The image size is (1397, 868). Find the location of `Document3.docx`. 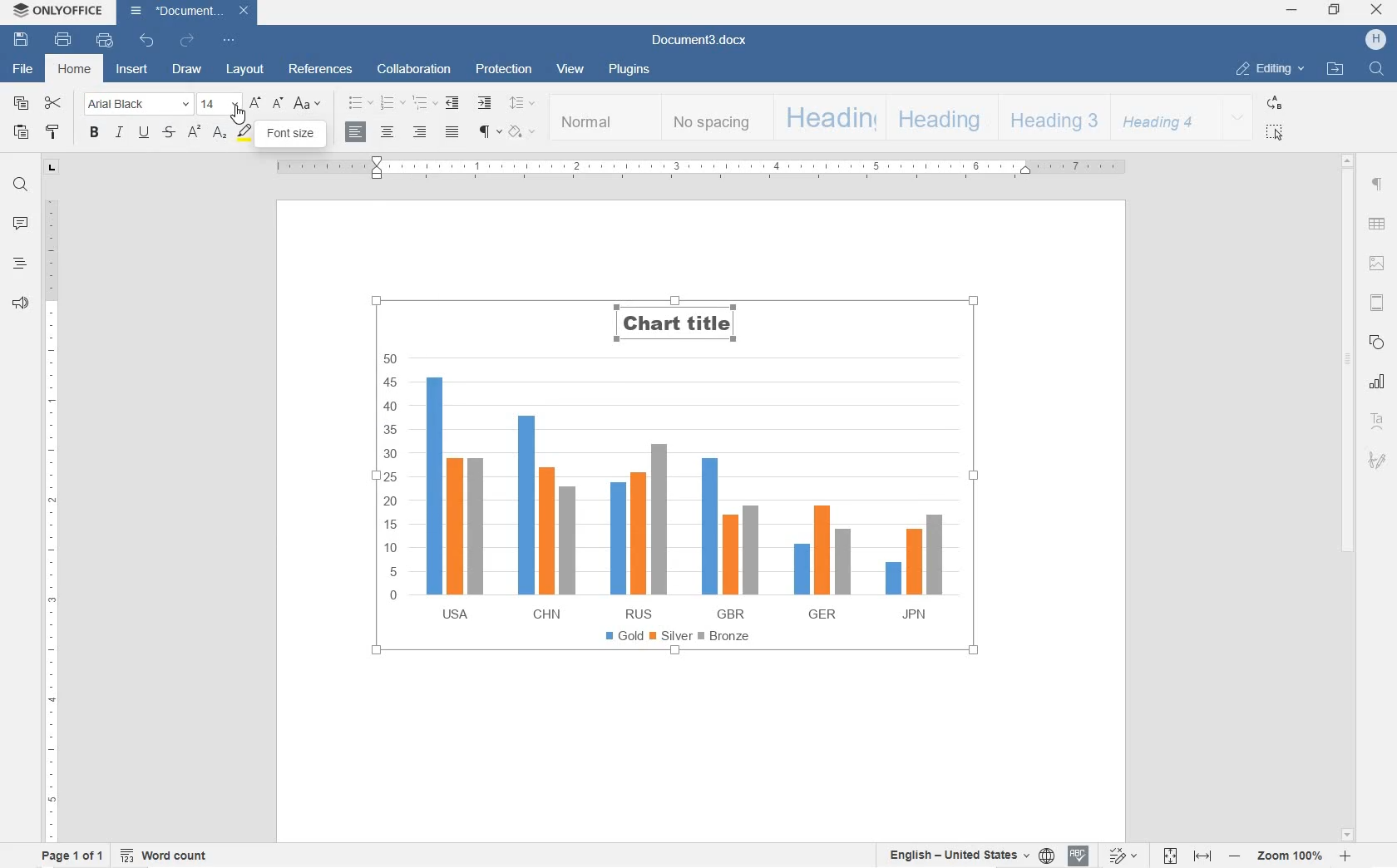

Document3.docx is located at coordinates (698, 42).